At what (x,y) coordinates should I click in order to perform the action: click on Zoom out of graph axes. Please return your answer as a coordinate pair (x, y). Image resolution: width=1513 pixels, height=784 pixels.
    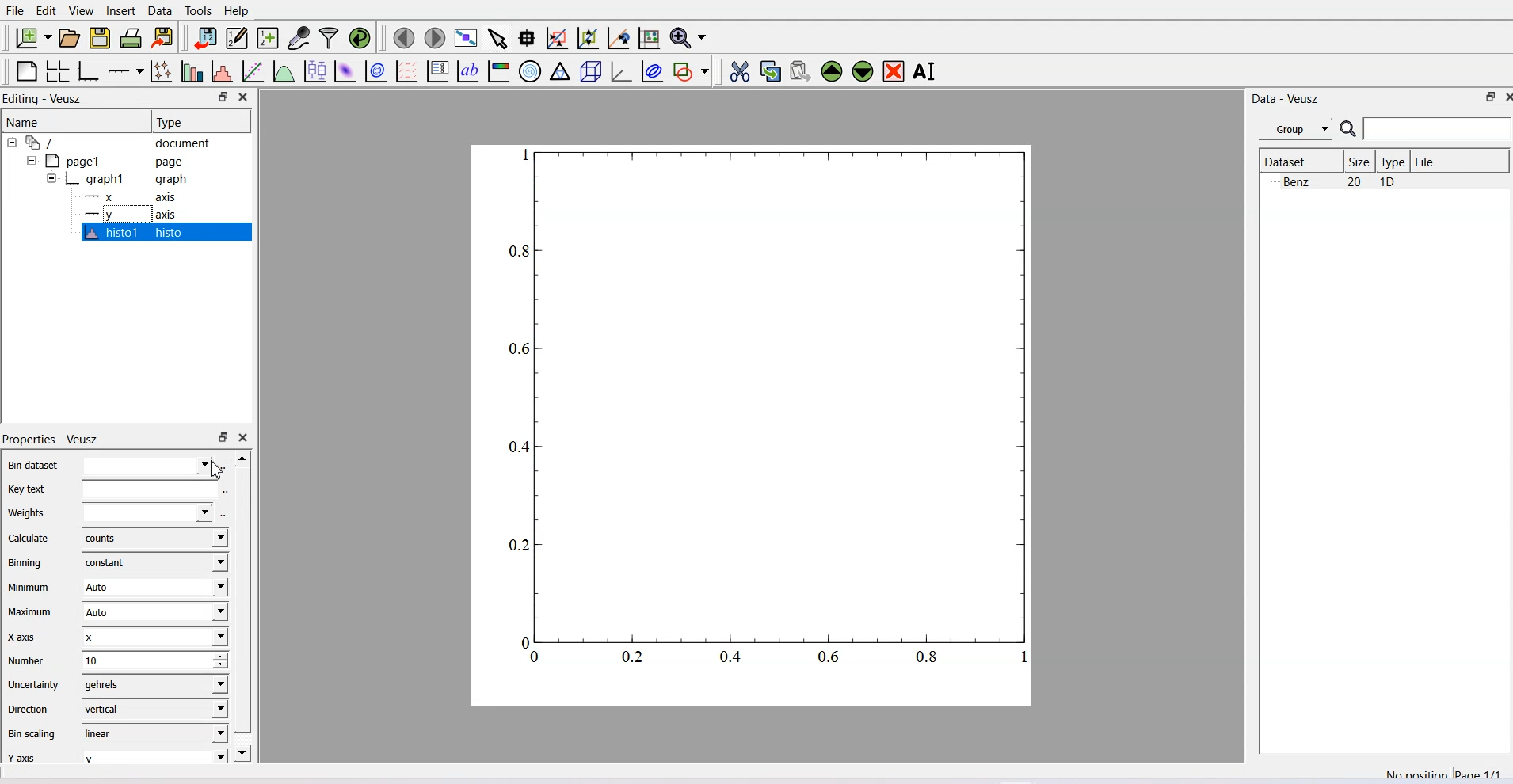
    Looking at the image, I should click on (589, 38).